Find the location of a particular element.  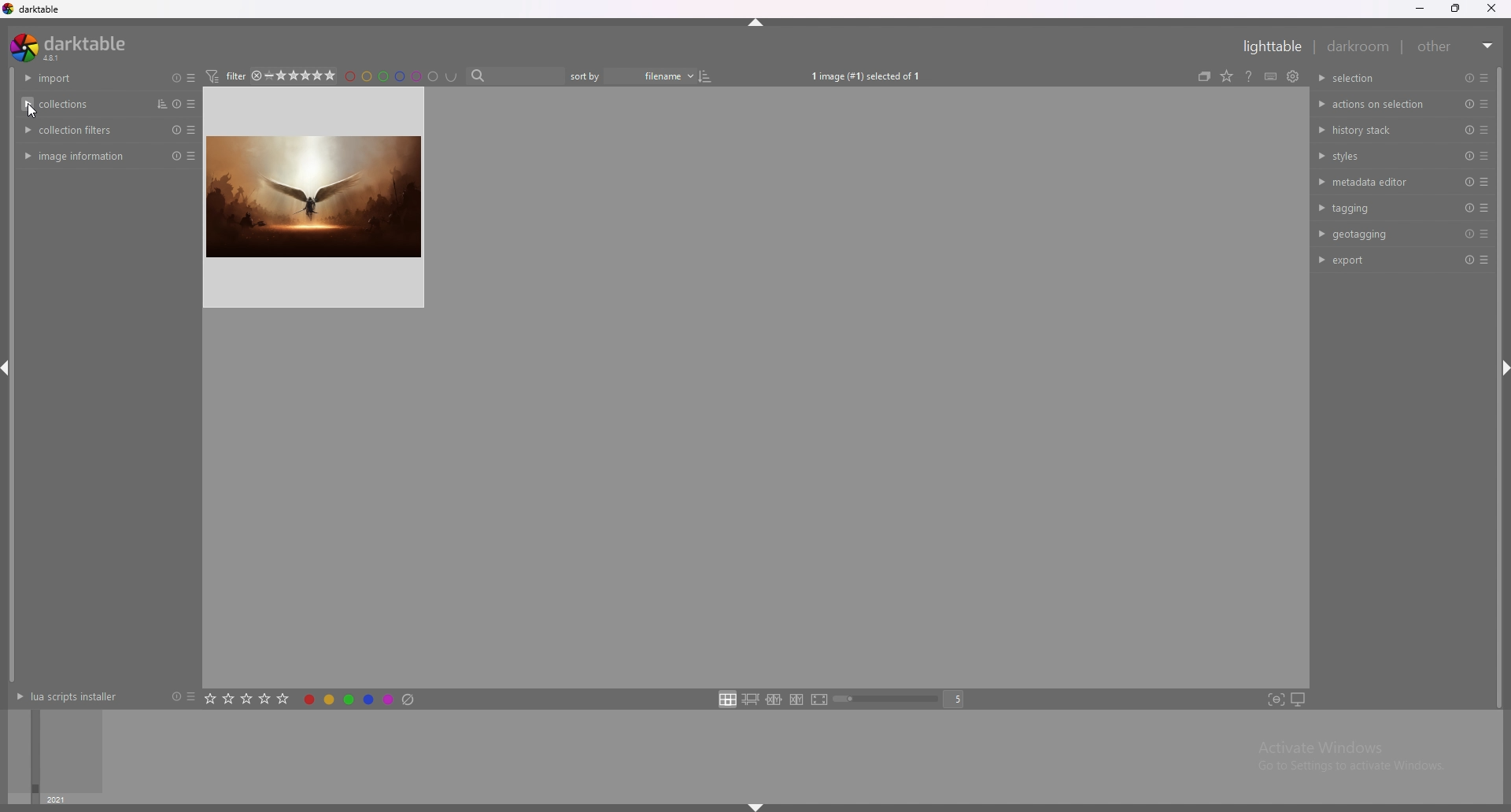

full preview layout is located at coordinates (820, 701).